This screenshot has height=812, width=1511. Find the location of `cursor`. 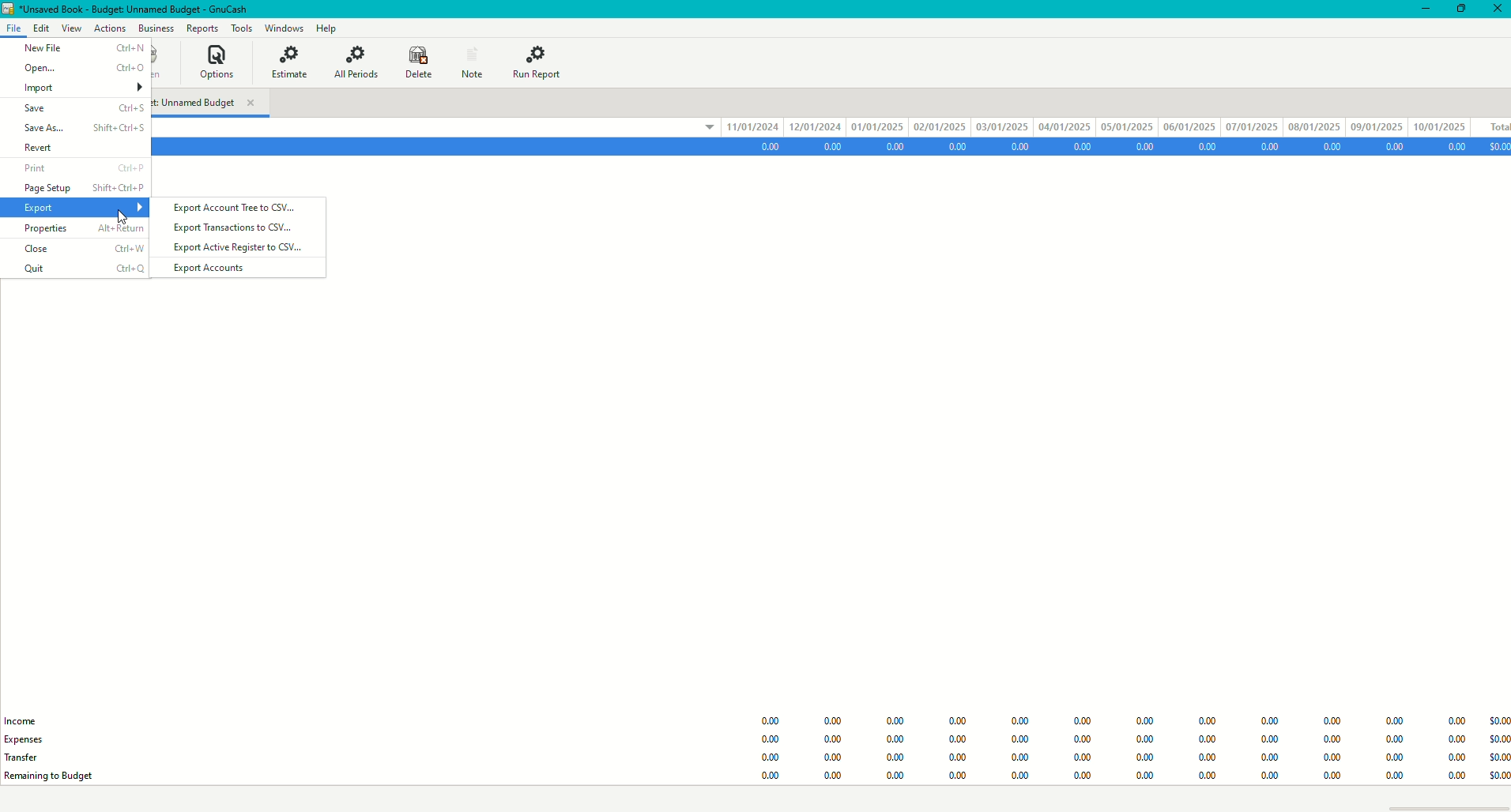

cursor is located at coordinates (122, 212).